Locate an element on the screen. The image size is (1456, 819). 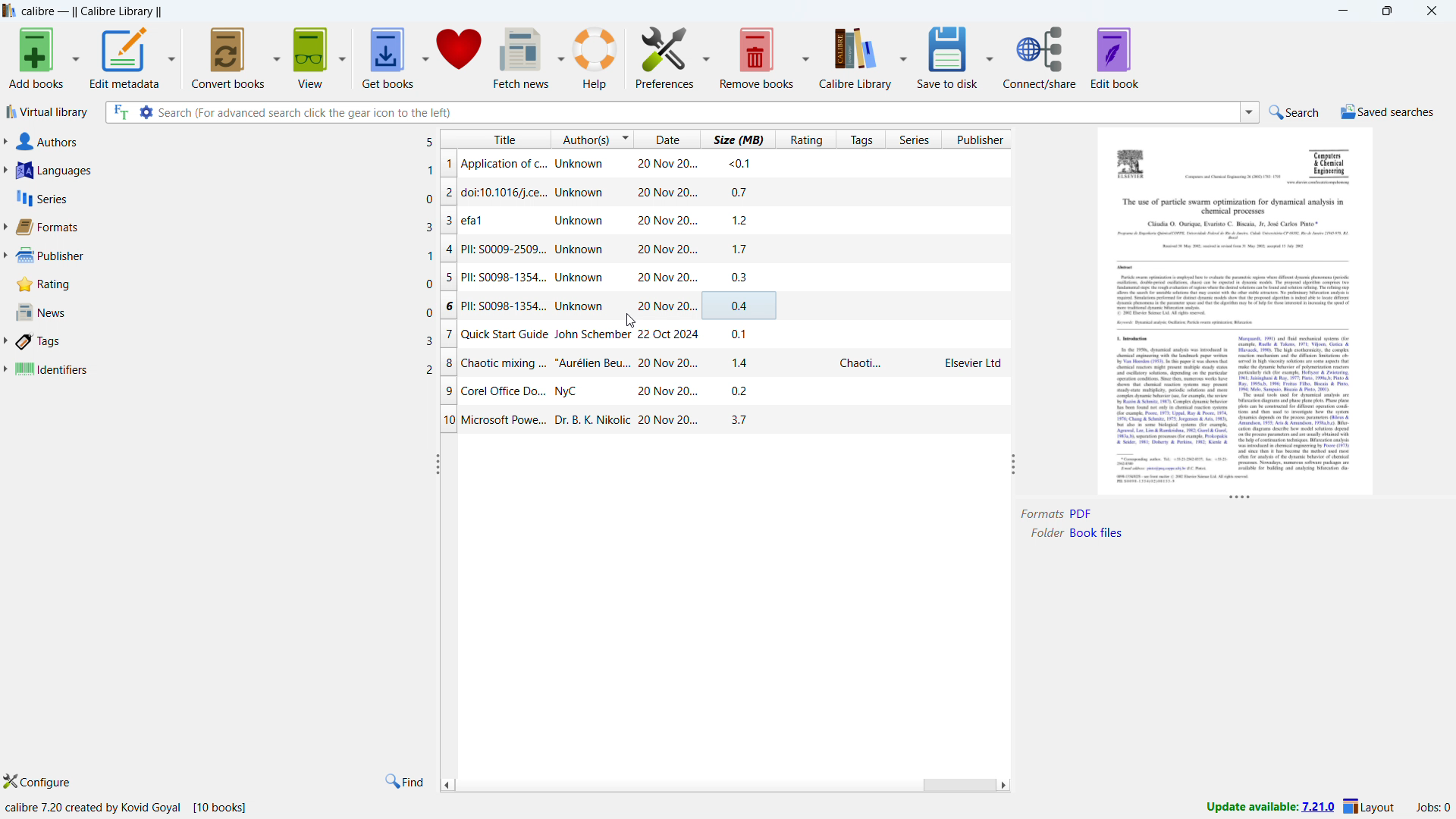
save to disk options is located at coordinates (990, 56).